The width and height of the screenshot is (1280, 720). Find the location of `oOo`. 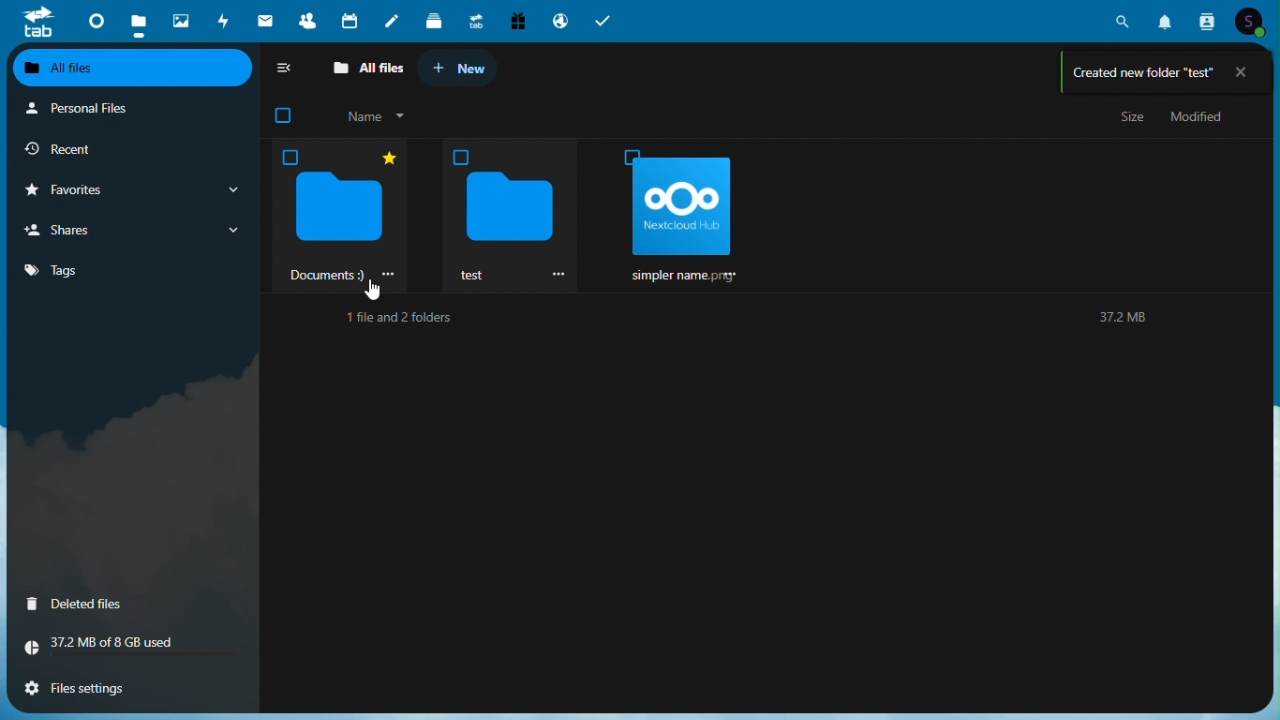

oOo is located at coordinates (683, 211).